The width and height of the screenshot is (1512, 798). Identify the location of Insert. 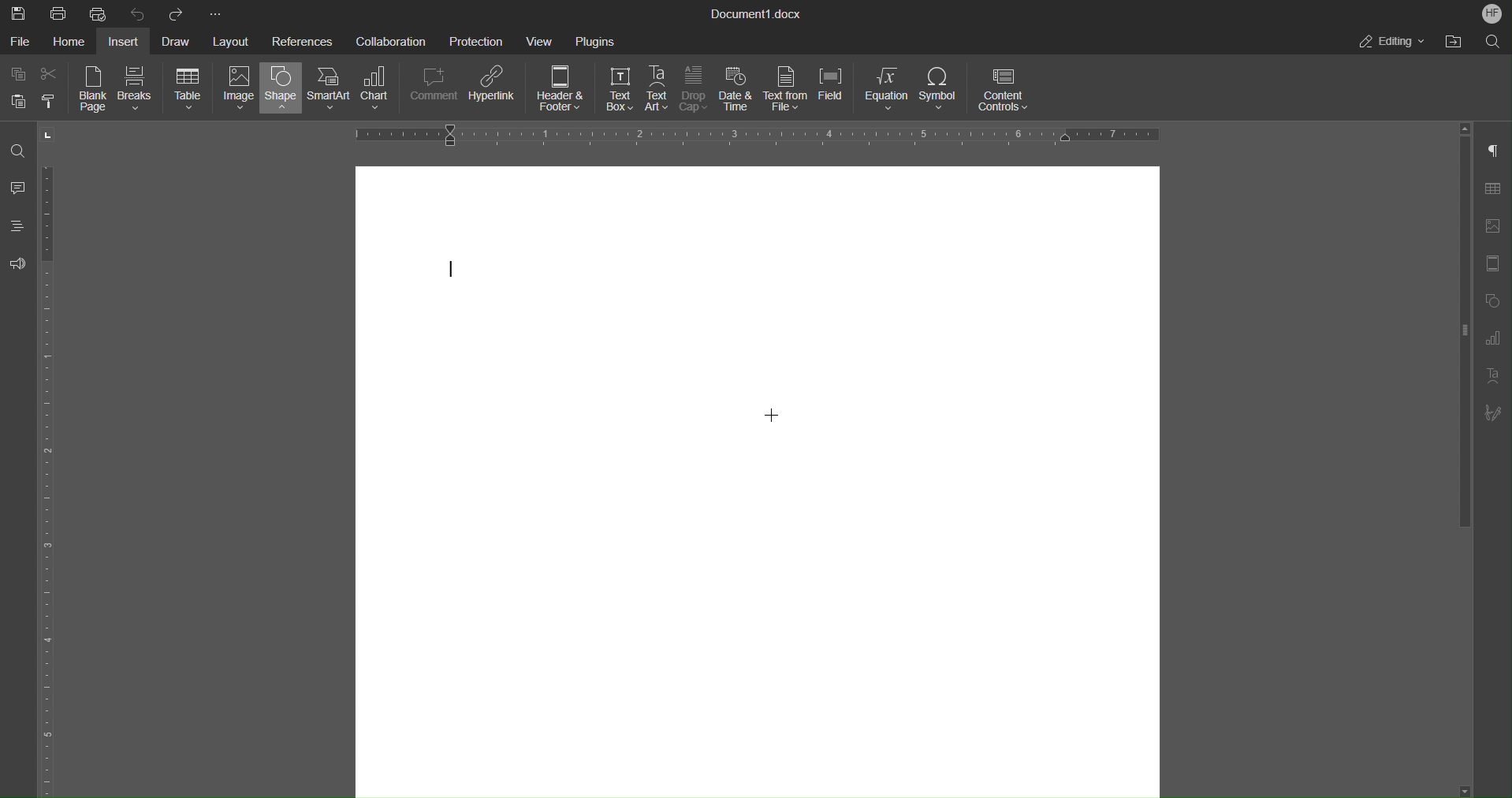
(127, 41).